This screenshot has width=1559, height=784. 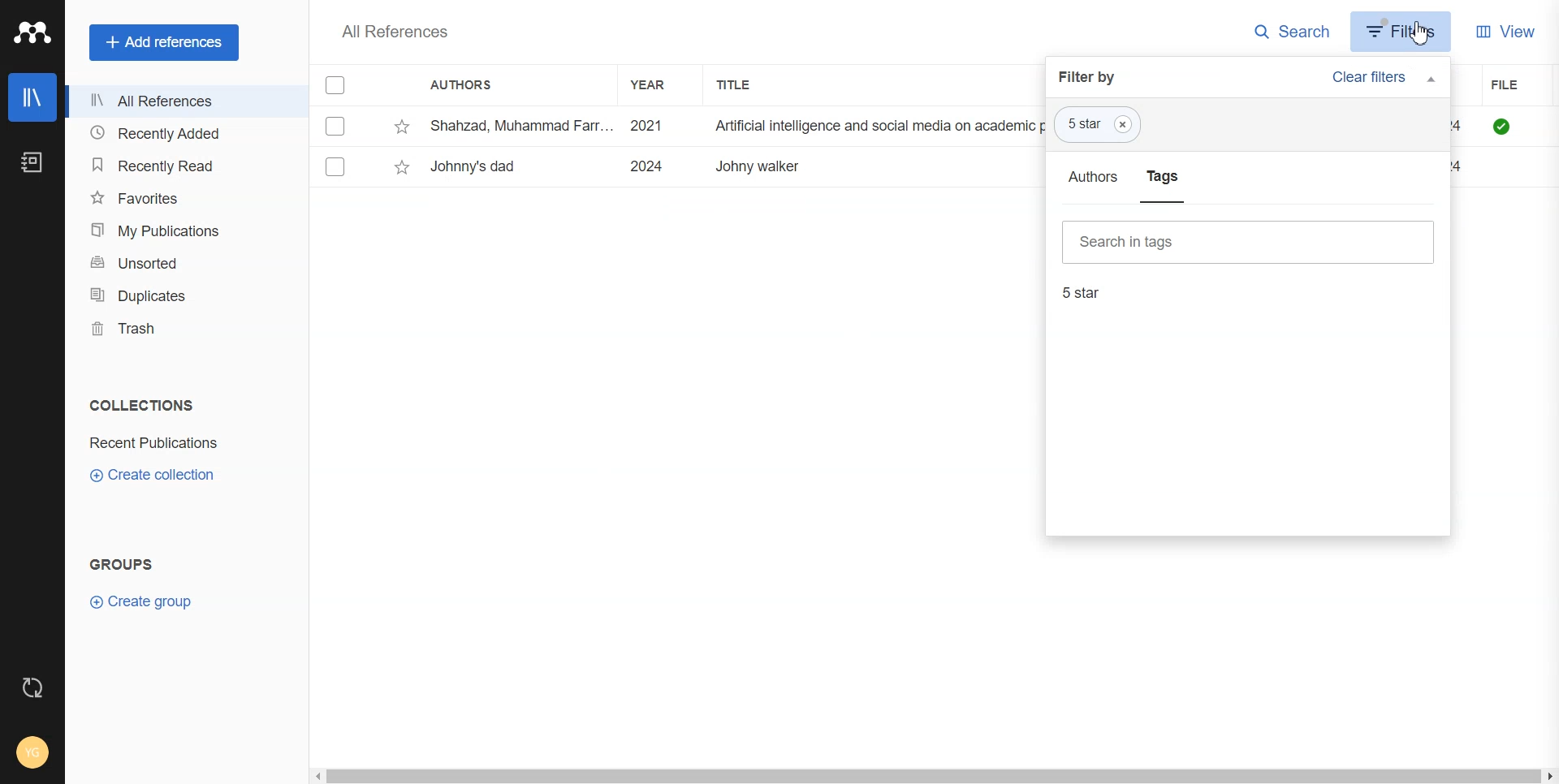 I want to click on Notebook, so click(x=32, y=162).